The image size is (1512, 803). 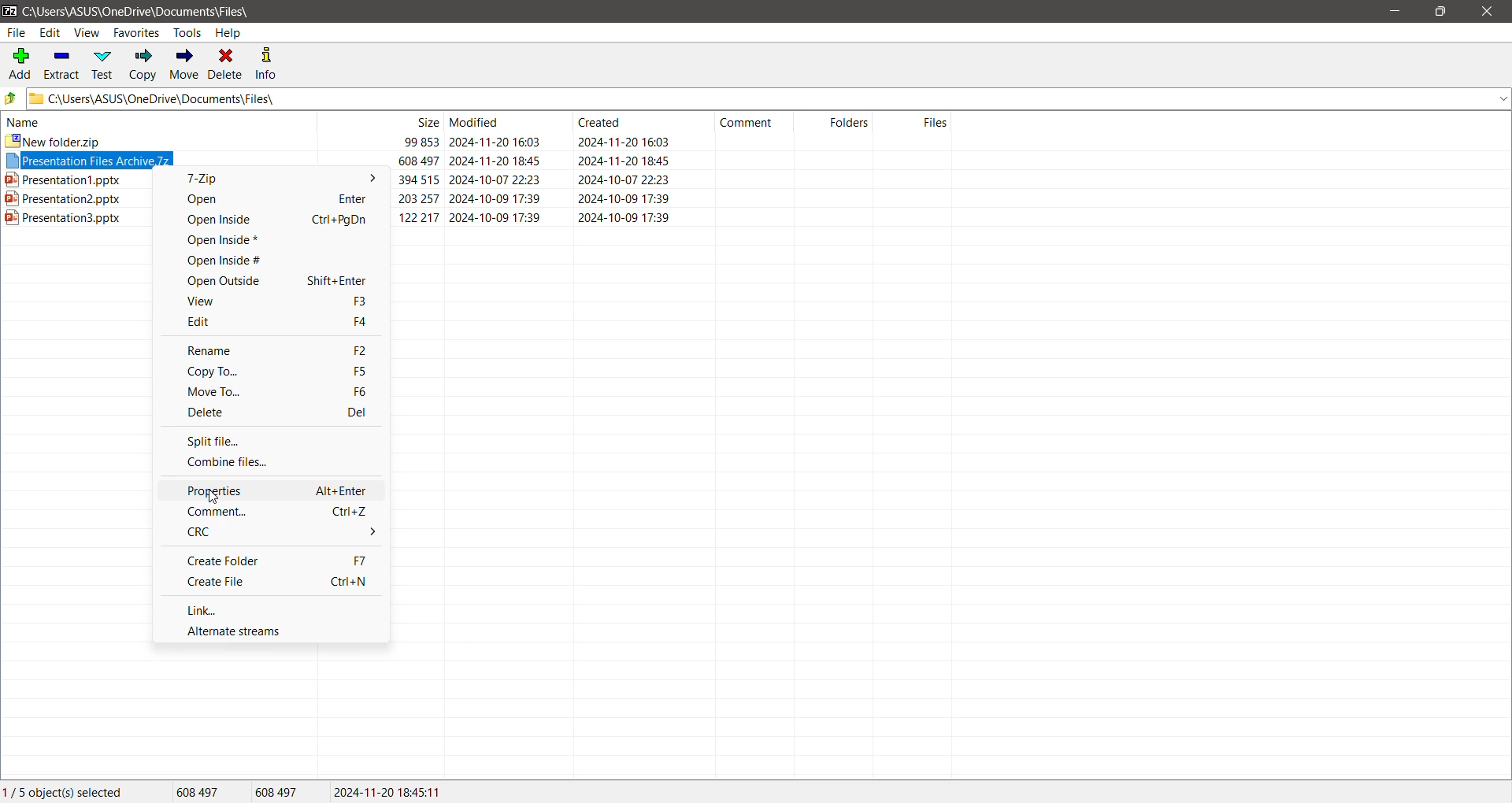 I want to click on Create File, so click(x=226, y=583).